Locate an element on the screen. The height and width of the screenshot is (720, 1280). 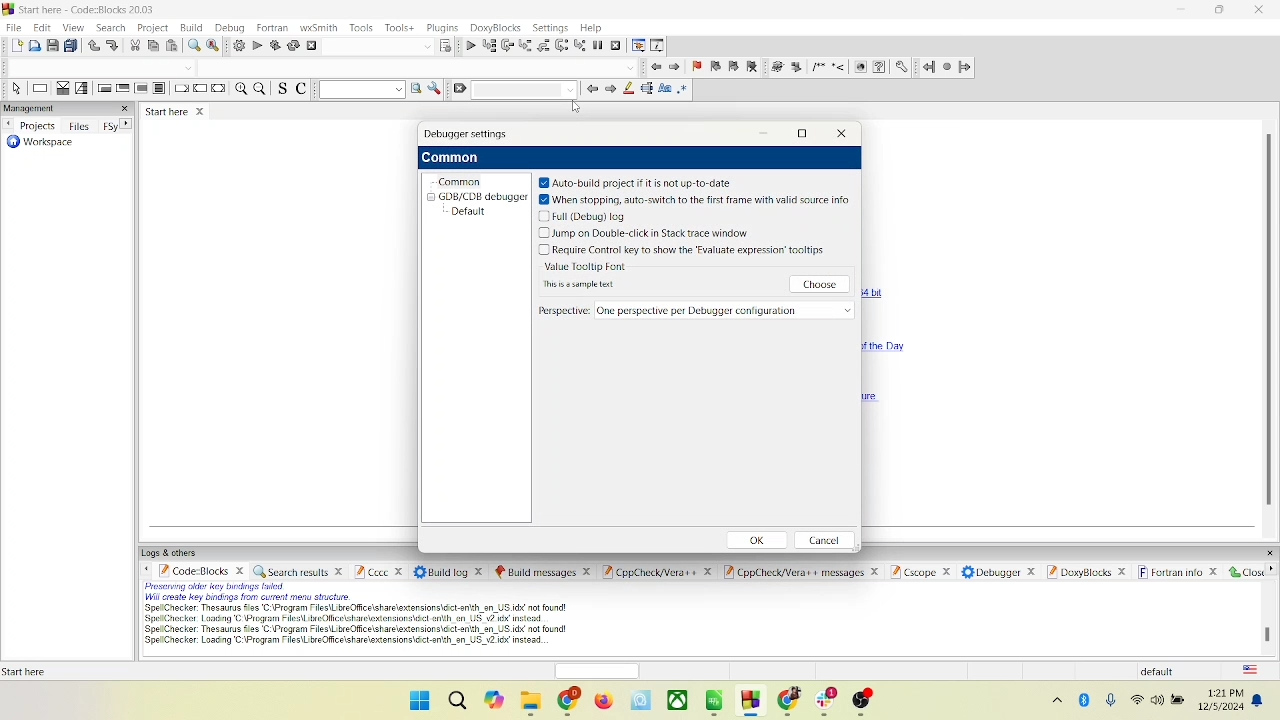
close is located at coordinates (1246, 574).